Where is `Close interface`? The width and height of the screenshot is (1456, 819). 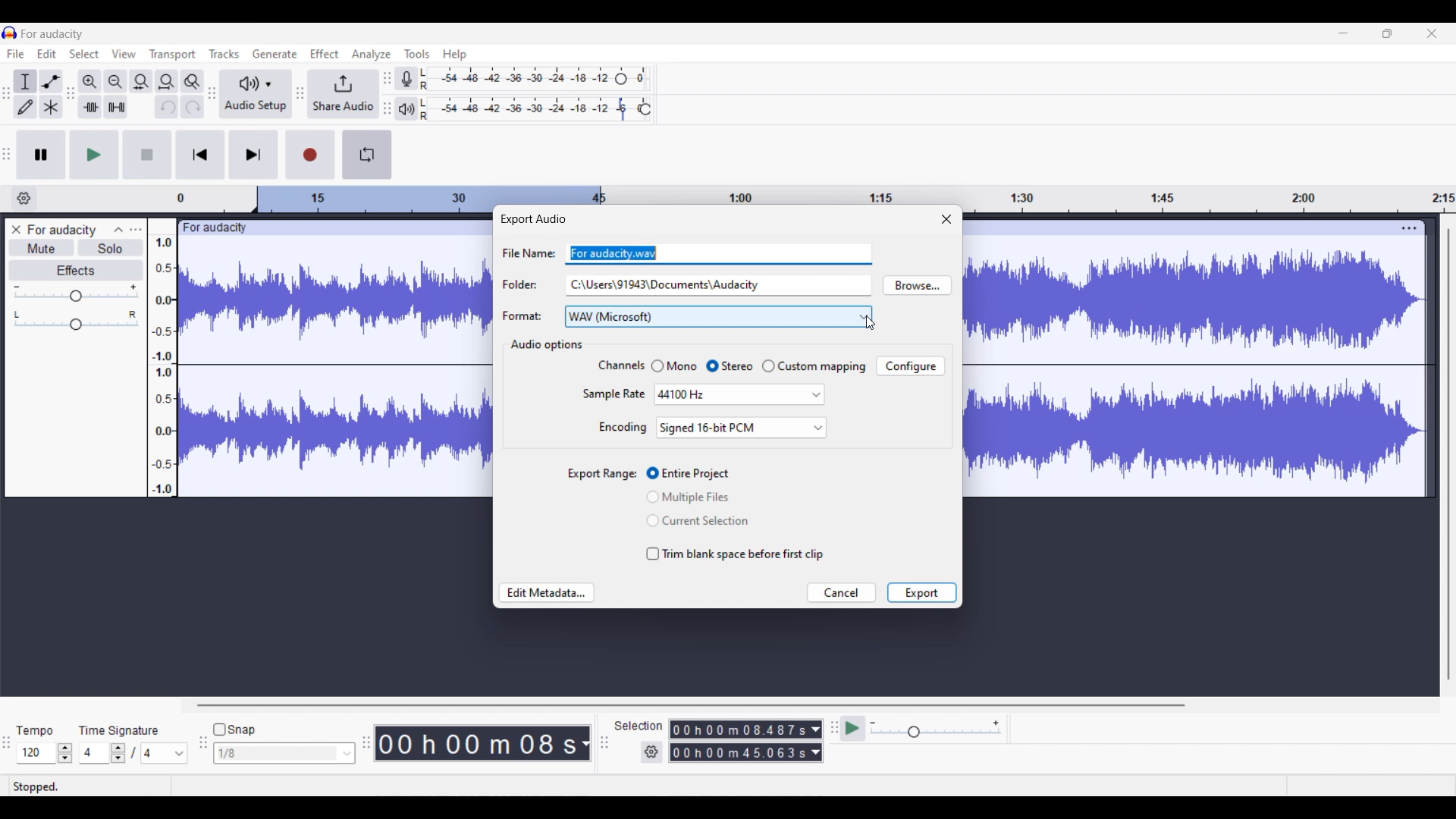
Close interface is located at coordinates (1432, 33).